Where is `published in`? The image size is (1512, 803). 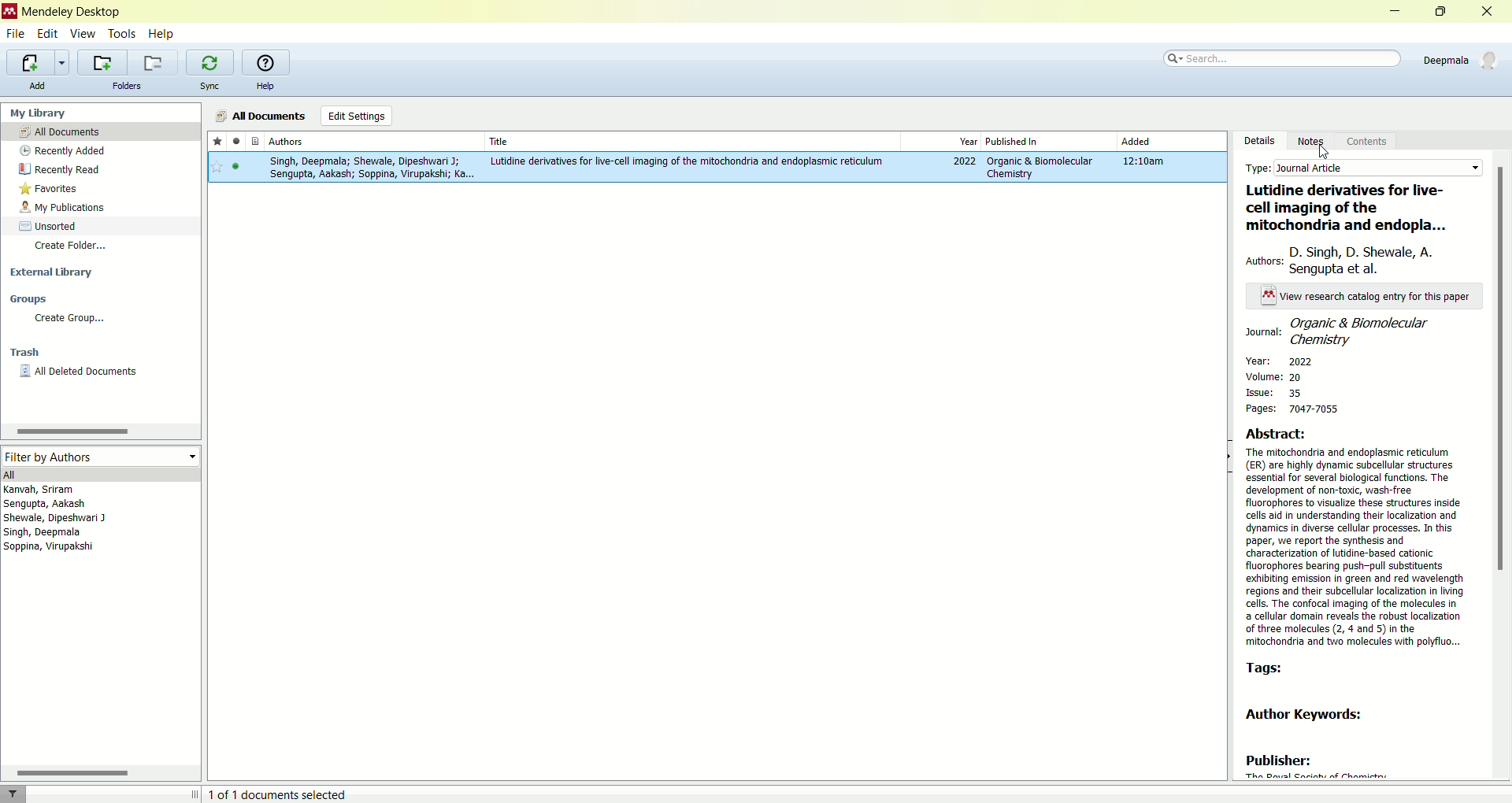 published in is located at coordinates (1027, 140).